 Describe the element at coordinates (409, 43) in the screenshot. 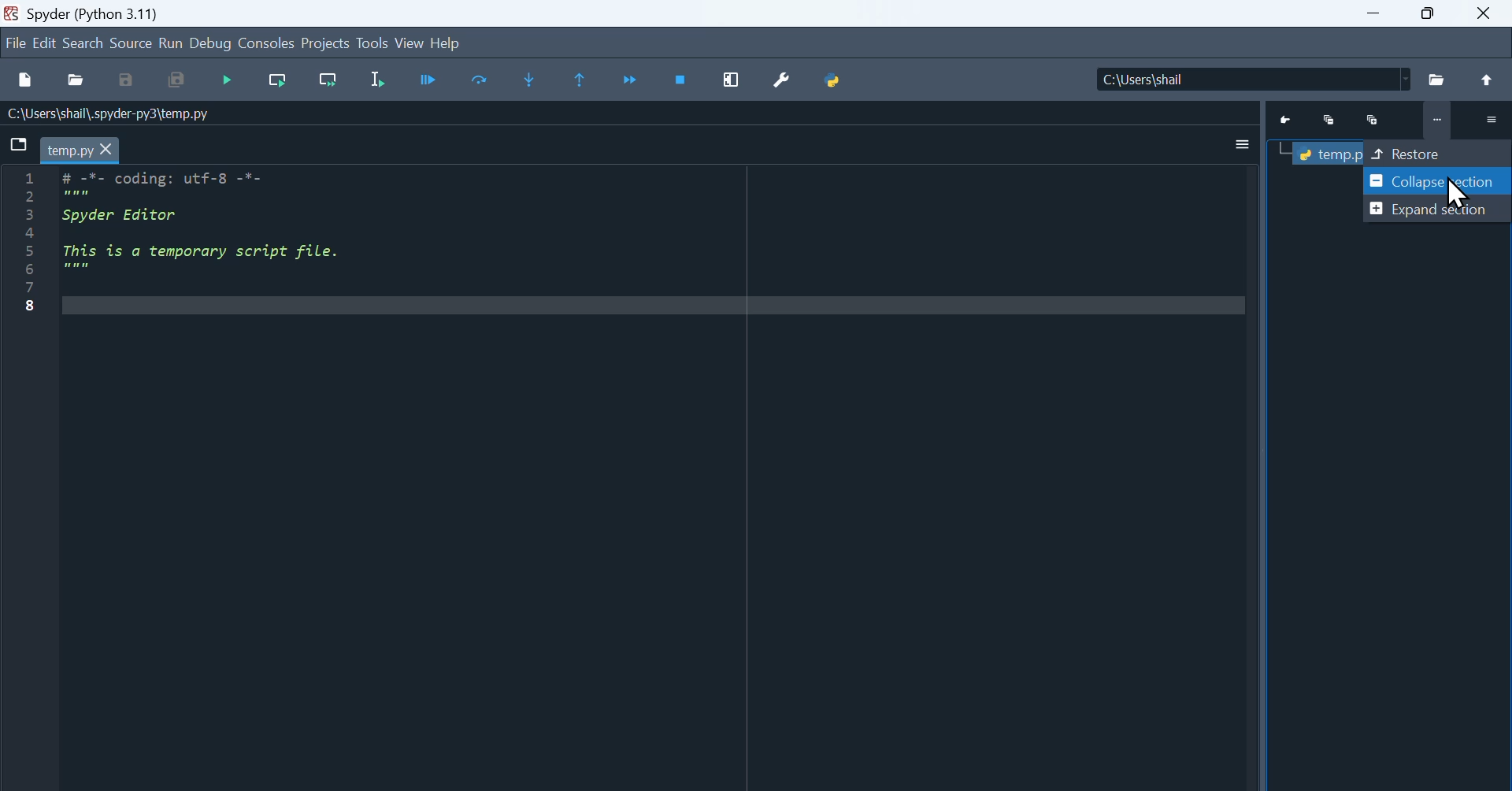

I see `View` at that location.